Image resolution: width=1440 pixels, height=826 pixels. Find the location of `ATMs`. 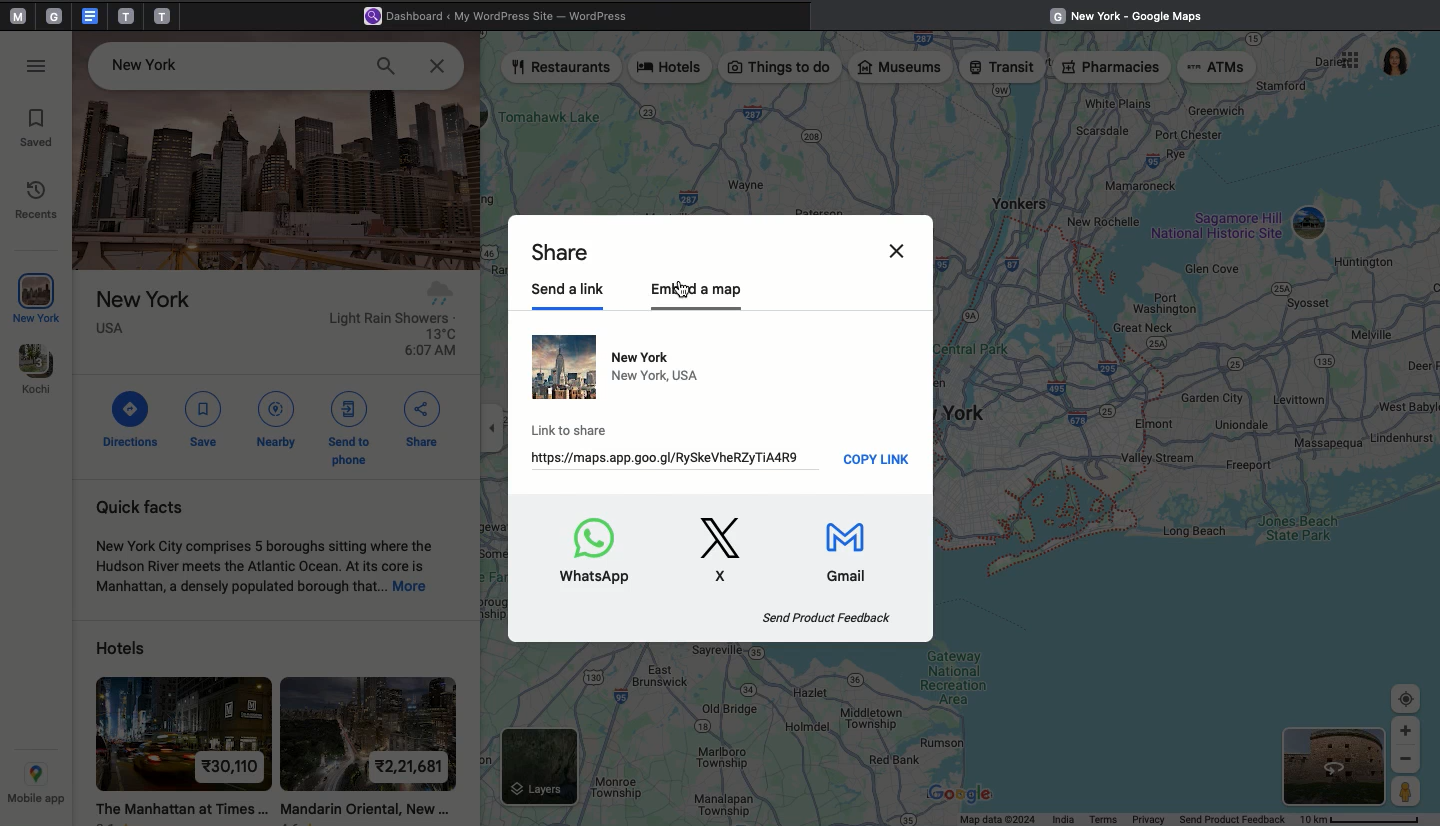

ATMs is located at coordinates (1217, 69).